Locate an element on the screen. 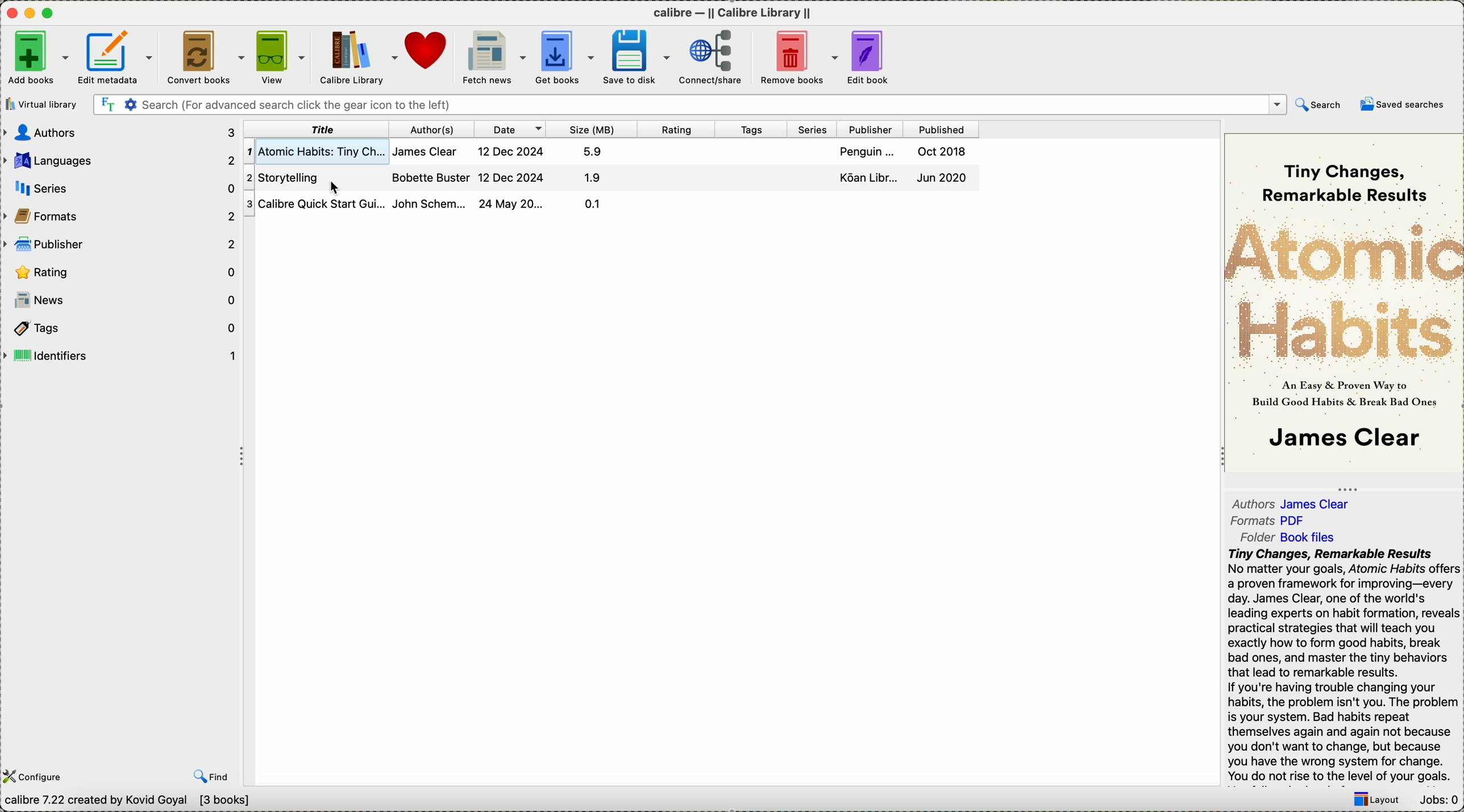 The width and height of the screenshot is (1464, 812). connect/share is located at coordinates (713, 57).